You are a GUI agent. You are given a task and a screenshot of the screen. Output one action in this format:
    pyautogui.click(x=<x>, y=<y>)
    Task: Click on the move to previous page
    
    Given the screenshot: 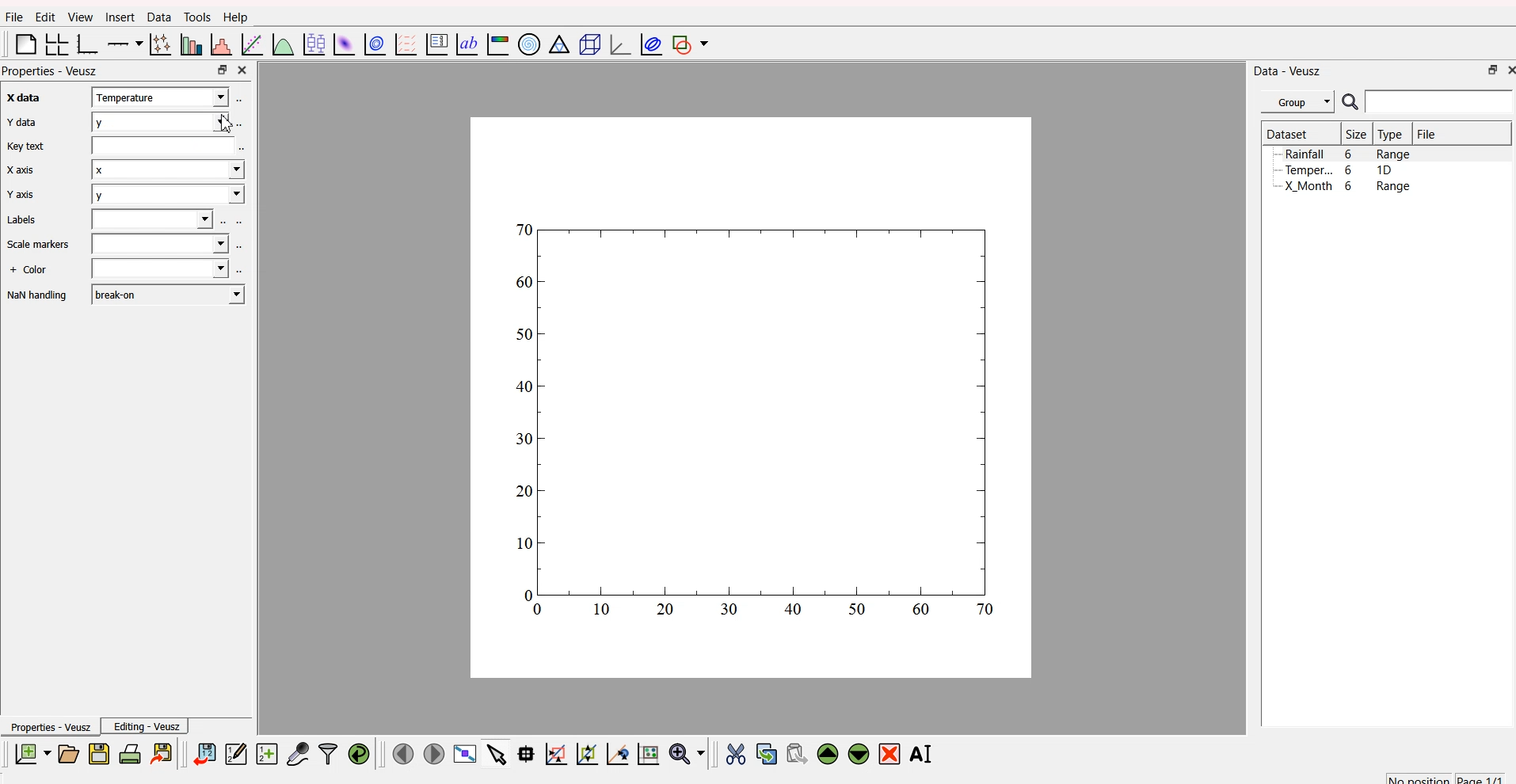 What is the action you would take?
    pyautogui.click(x=403, y=752)
    